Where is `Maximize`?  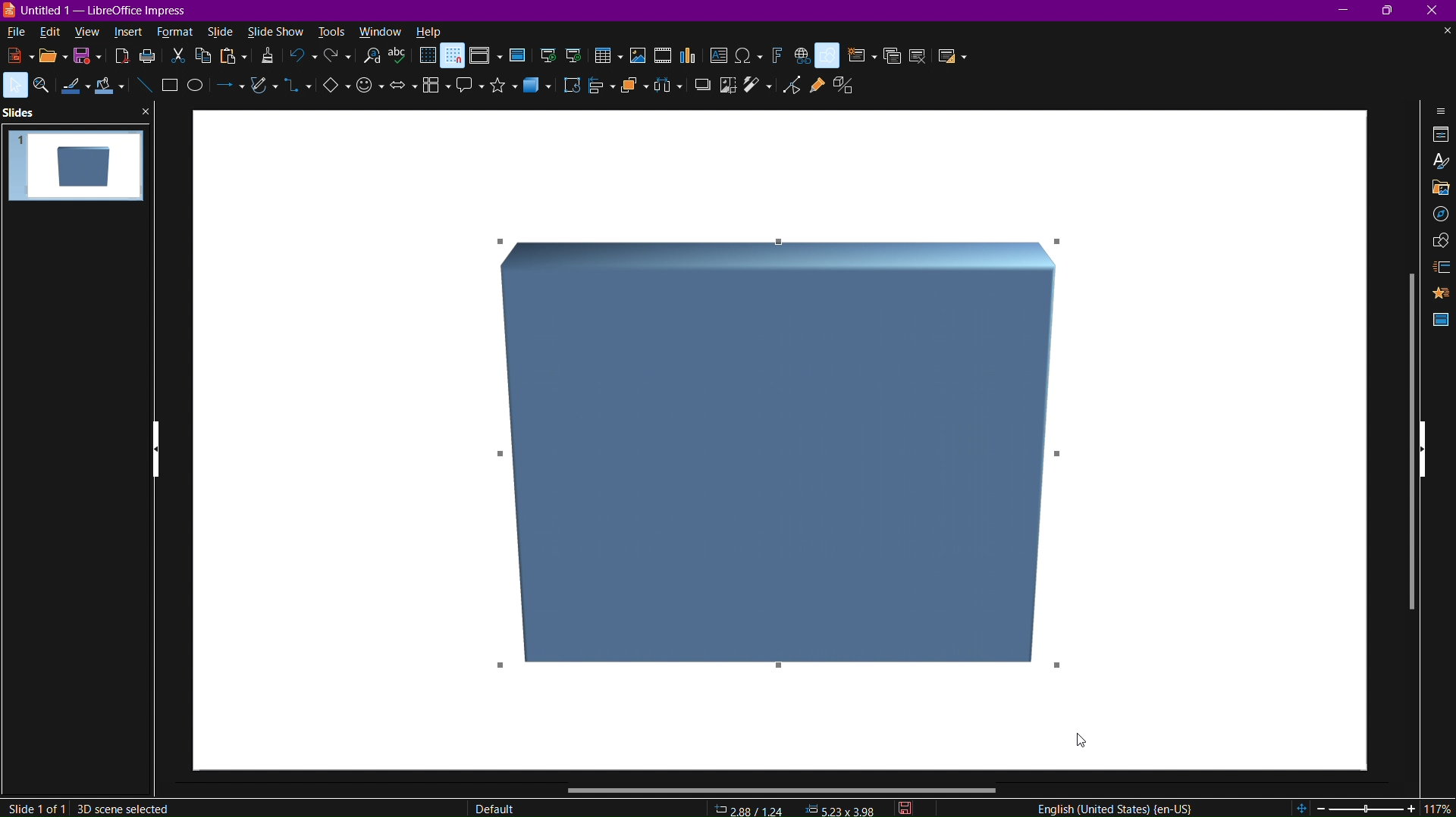 Maximize is located at coordinates (1393, 11).